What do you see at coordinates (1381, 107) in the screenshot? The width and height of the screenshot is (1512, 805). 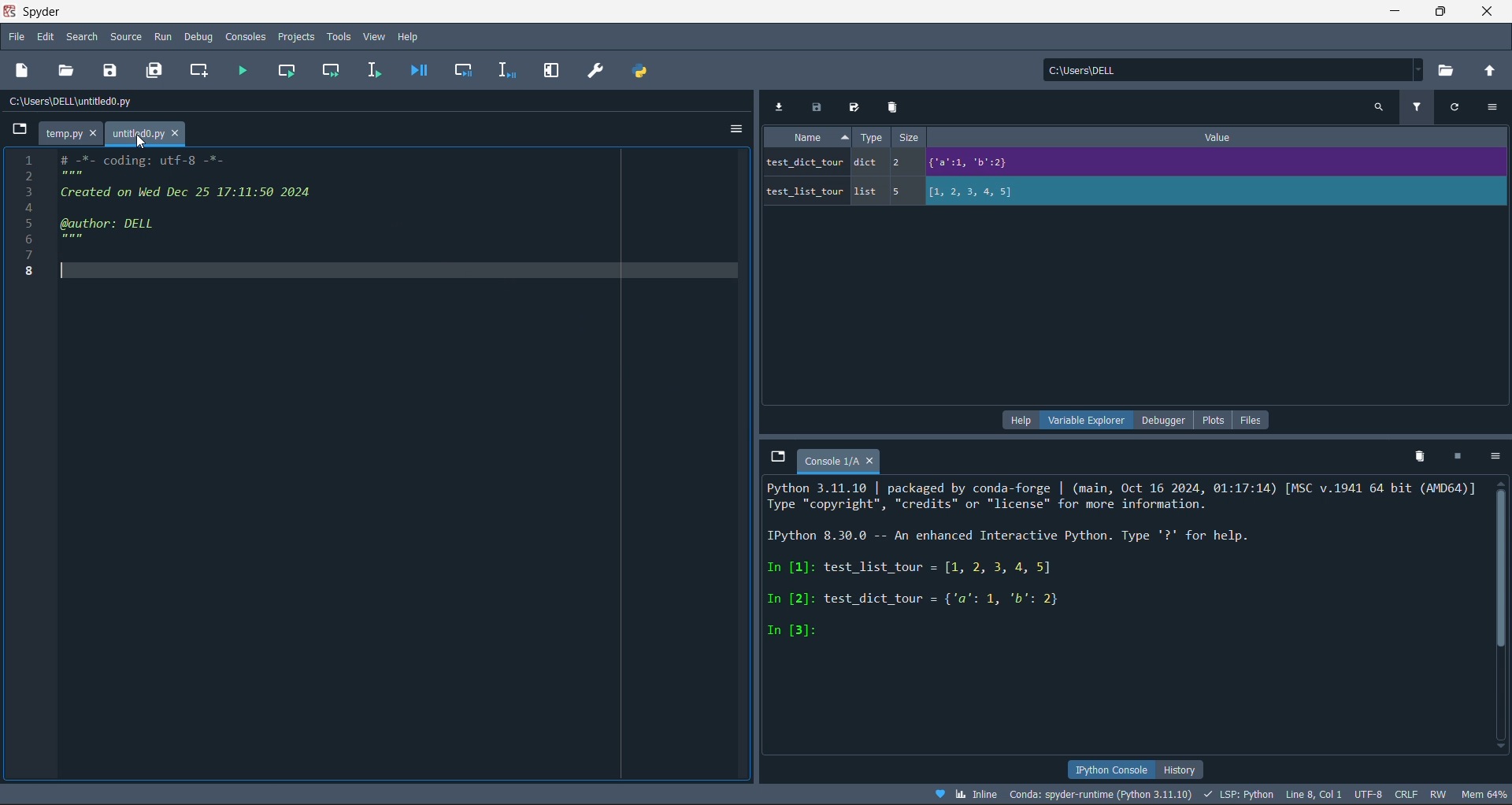 I see `search variables` at bounding box center [1381, 107].